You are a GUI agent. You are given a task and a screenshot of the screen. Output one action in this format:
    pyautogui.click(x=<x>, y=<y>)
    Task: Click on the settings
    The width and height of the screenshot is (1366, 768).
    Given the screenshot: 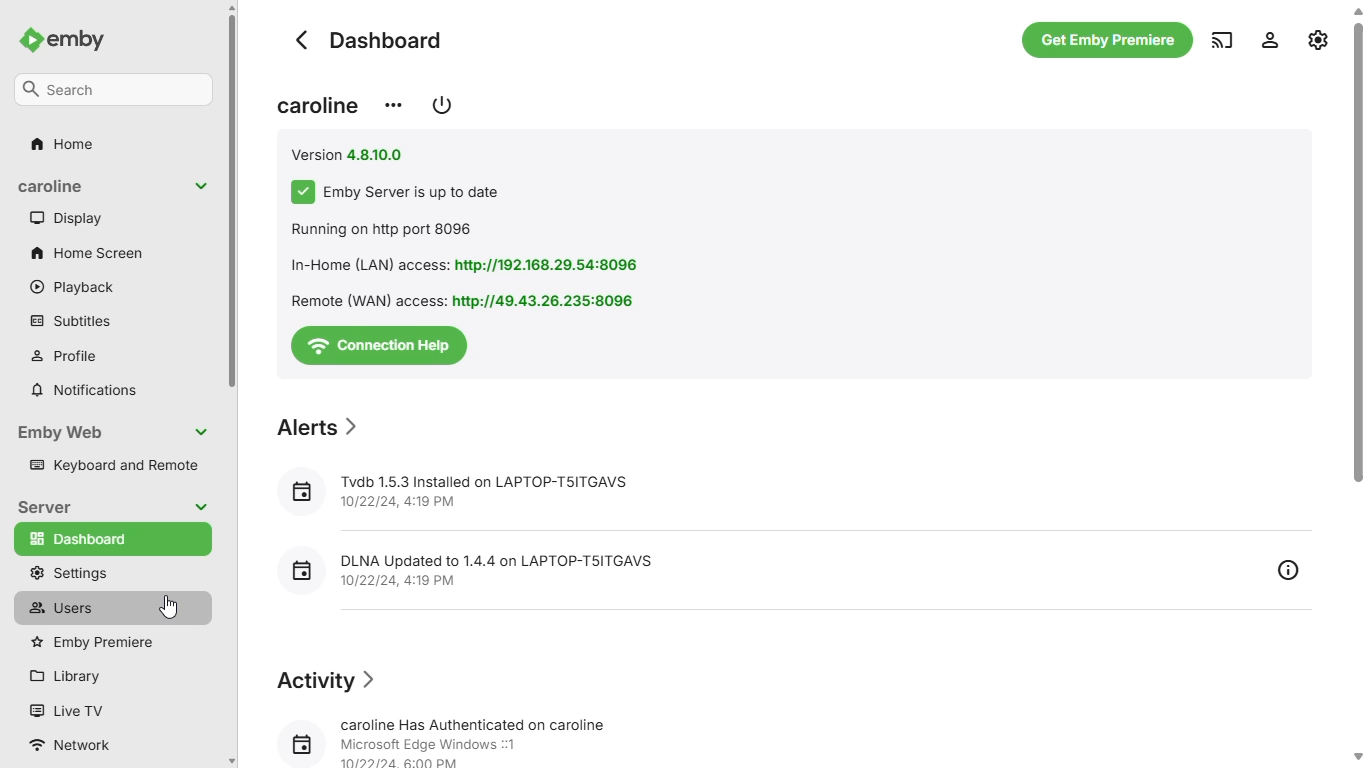 What is the action you would take?
    pyautogui.click(x=1270, y=39)
    